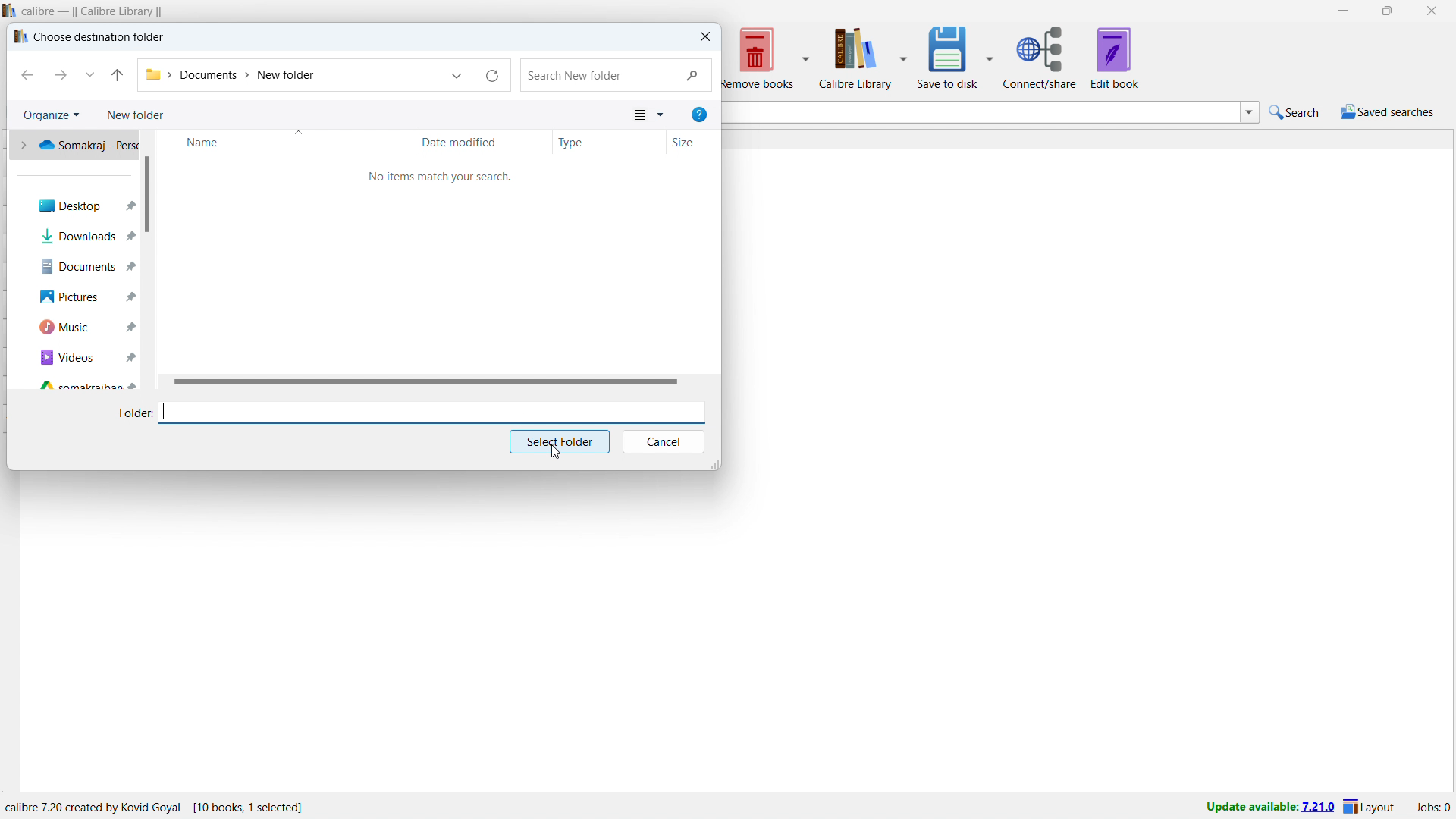  Describe the element at coordinates (432, 412) in the screenshot. I see `enter file name` at that location.